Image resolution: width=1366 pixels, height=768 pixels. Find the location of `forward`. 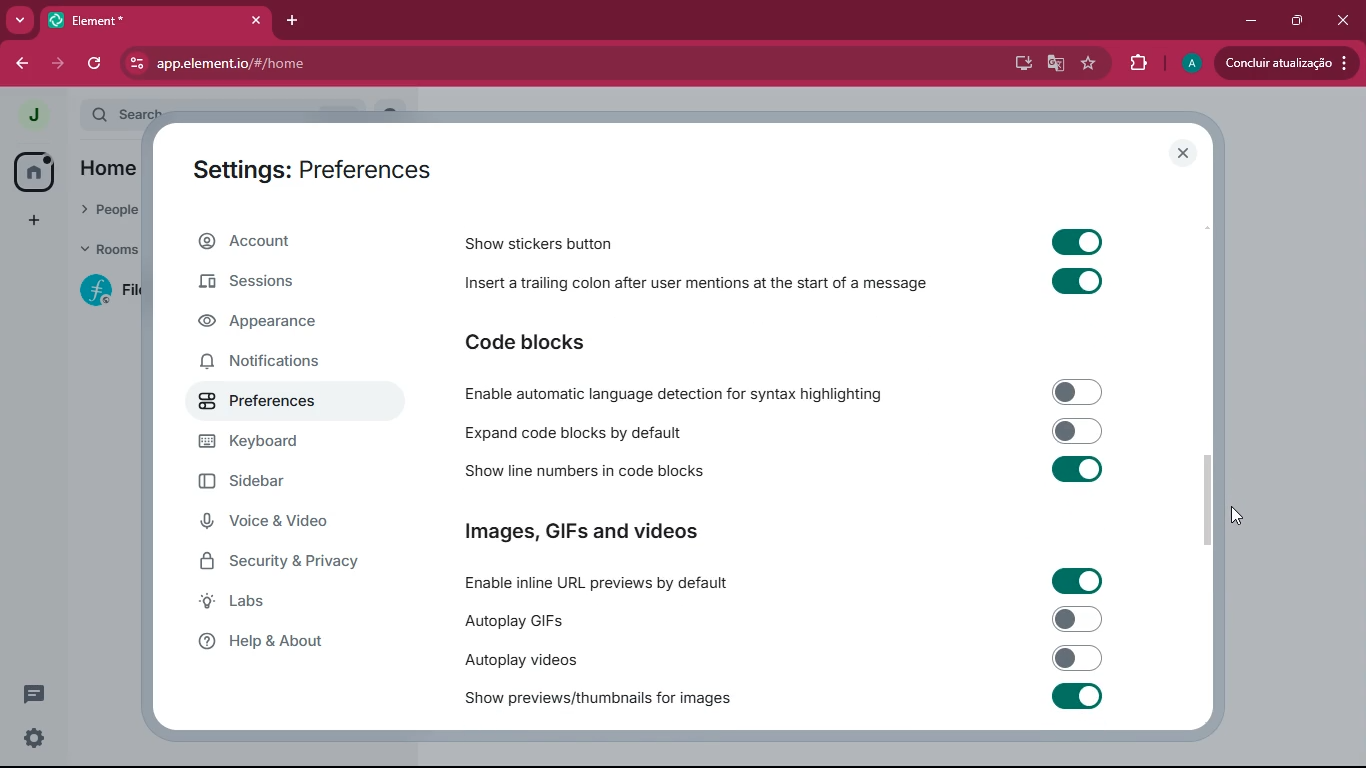

forward is located at coordinates (61, 64).